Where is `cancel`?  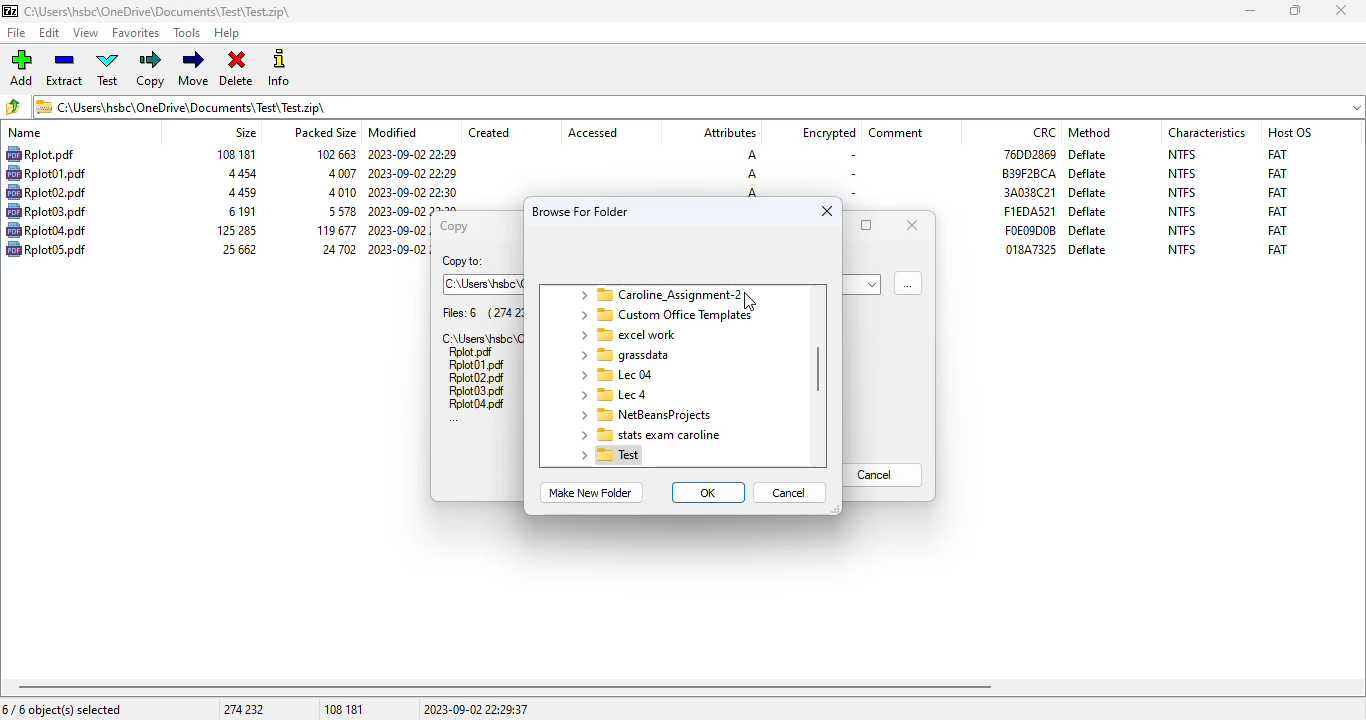
cancel is located at coordinates (883, 475).